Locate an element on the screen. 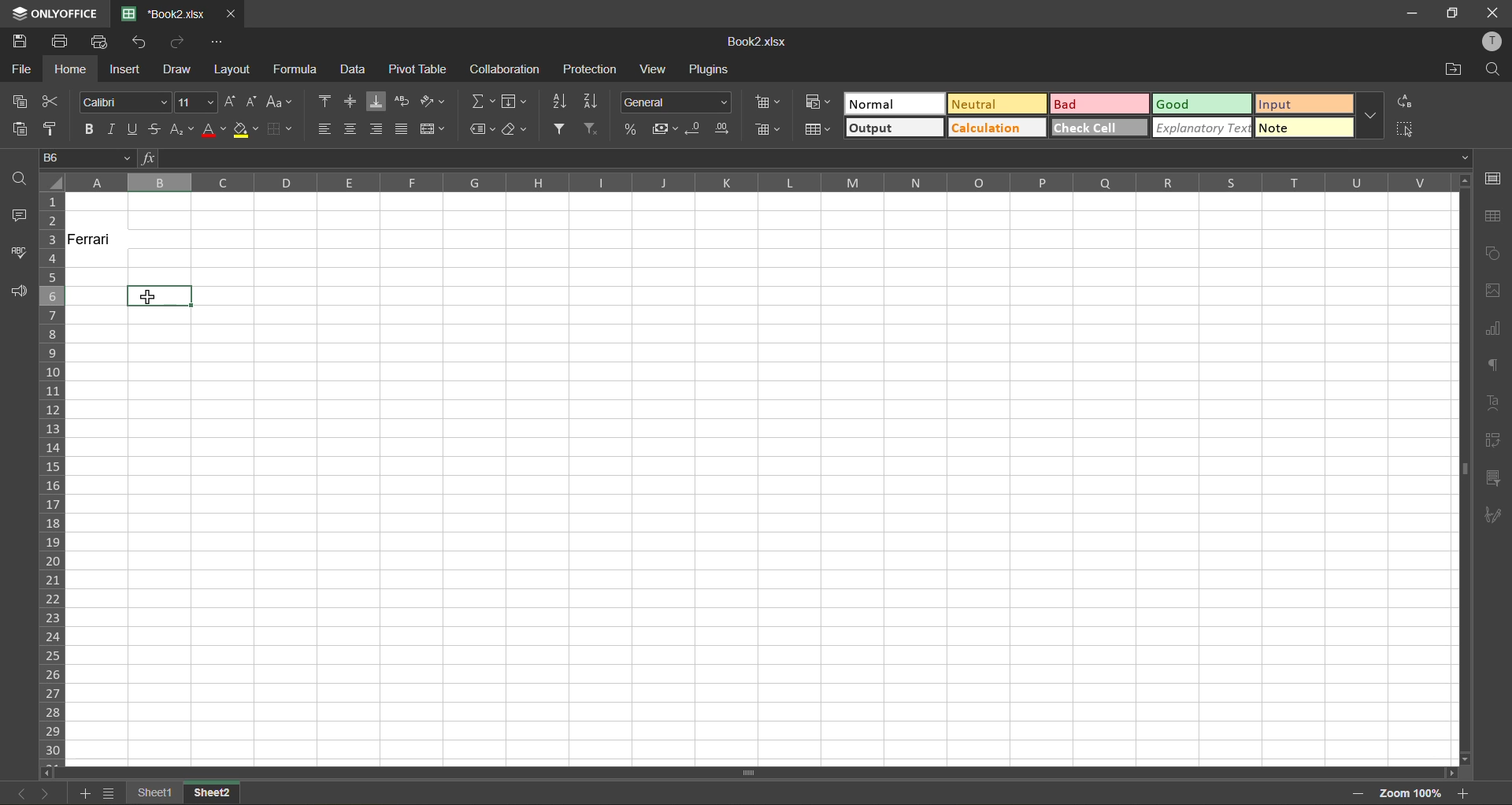 The image size is (1512, 805). open location is located at coordinates (1455, 71).